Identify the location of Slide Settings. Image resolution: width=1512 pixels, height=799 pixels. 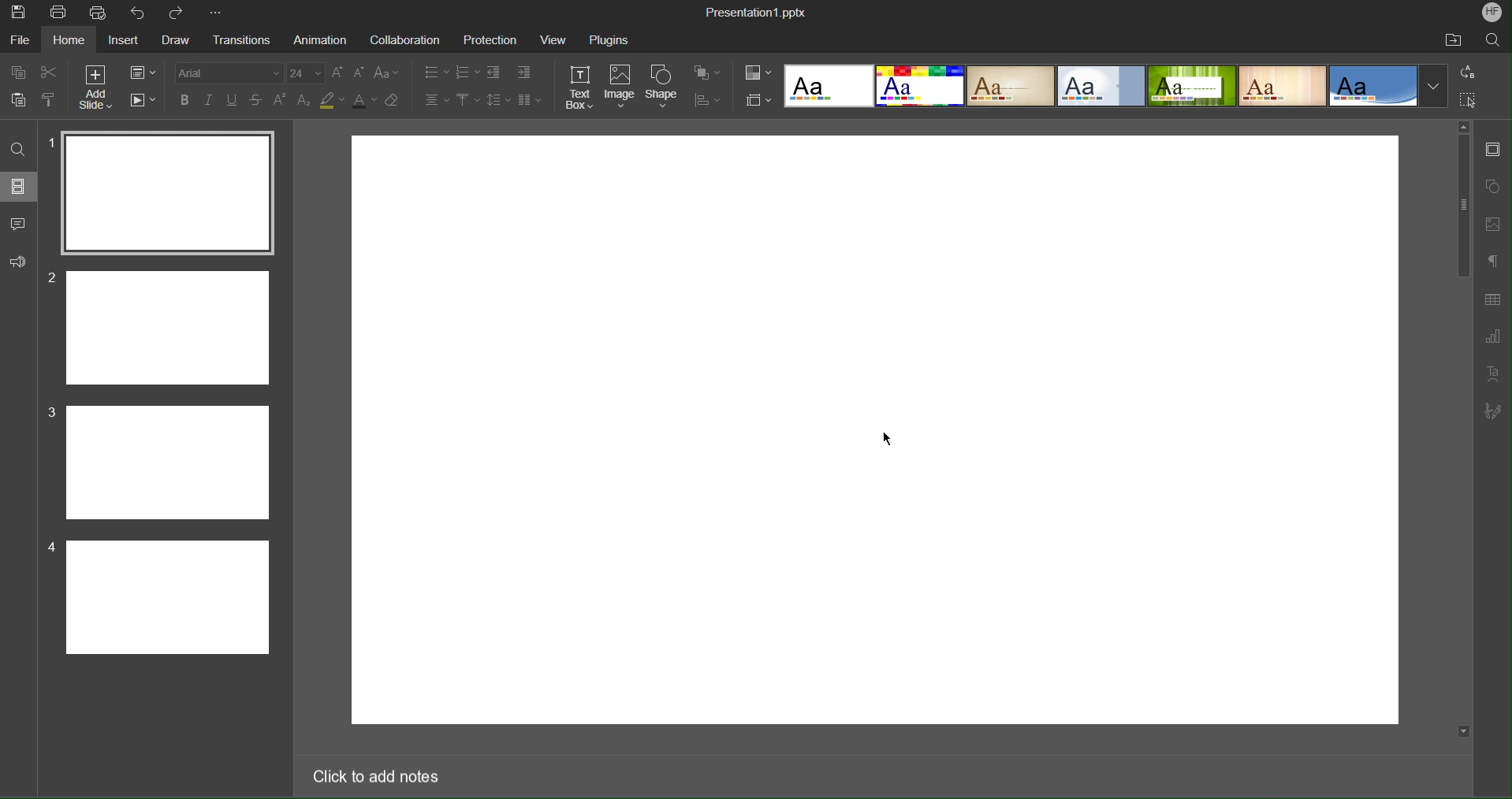
(141, 70).